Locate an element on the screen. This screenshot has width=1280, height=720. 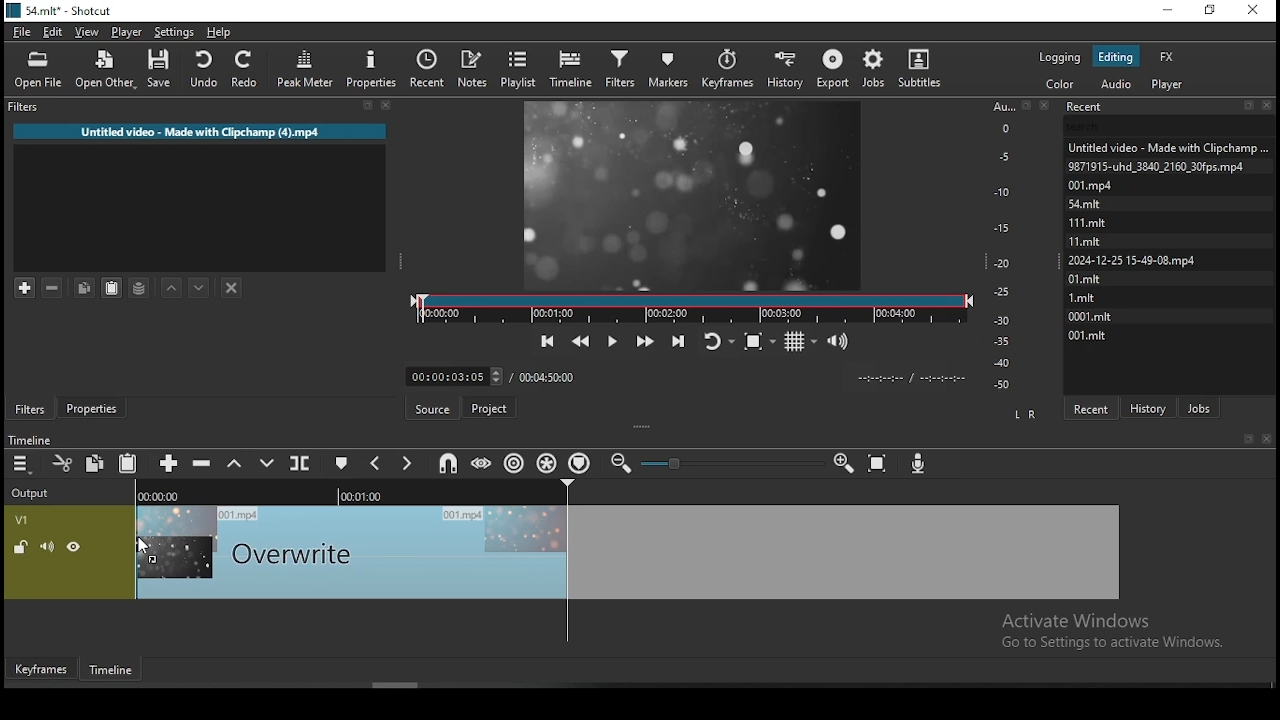
subtitles is located at coordinates (922, 66).